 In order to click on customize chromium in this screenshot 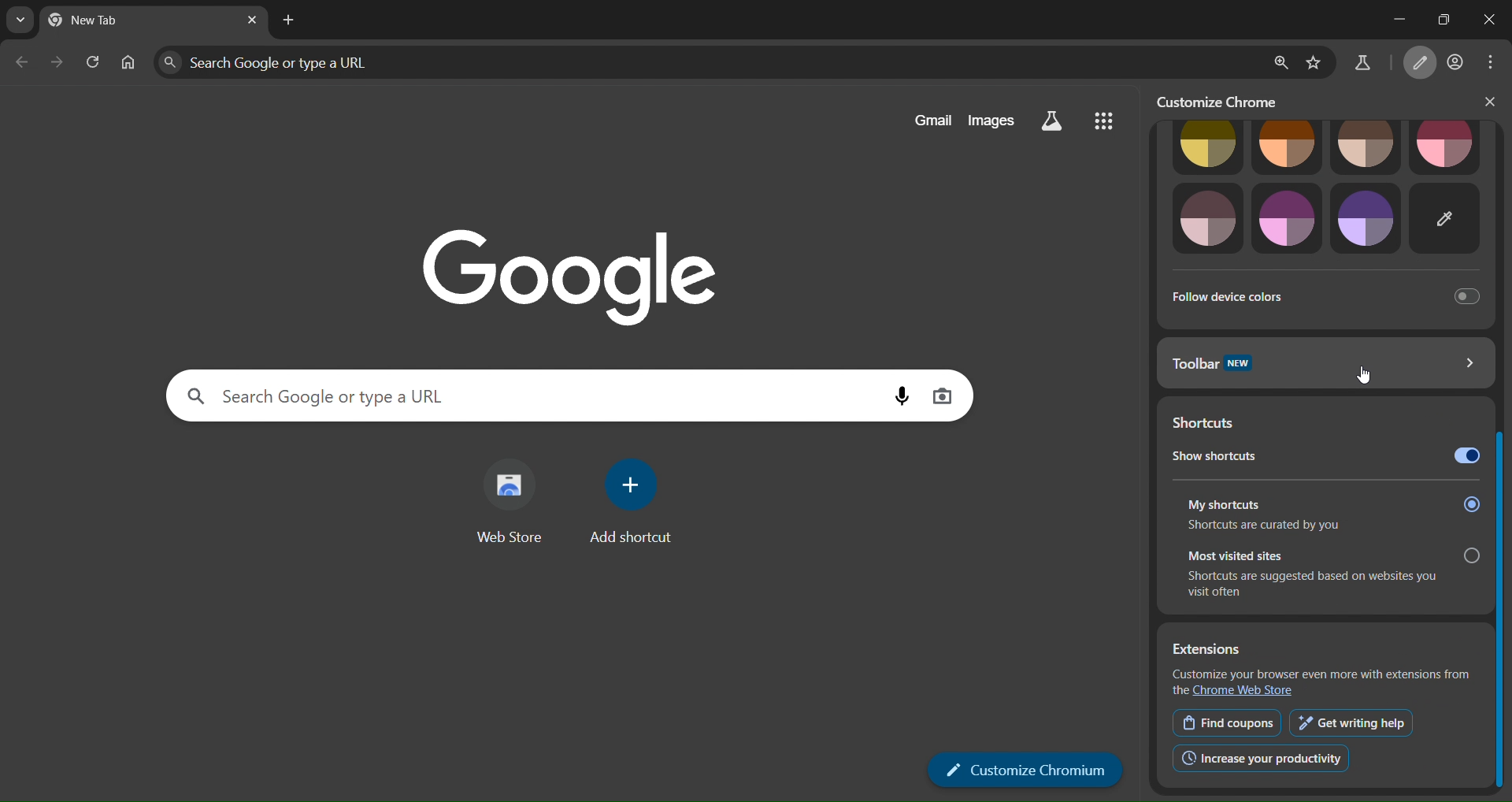, I will do `click(1026, 770)`.